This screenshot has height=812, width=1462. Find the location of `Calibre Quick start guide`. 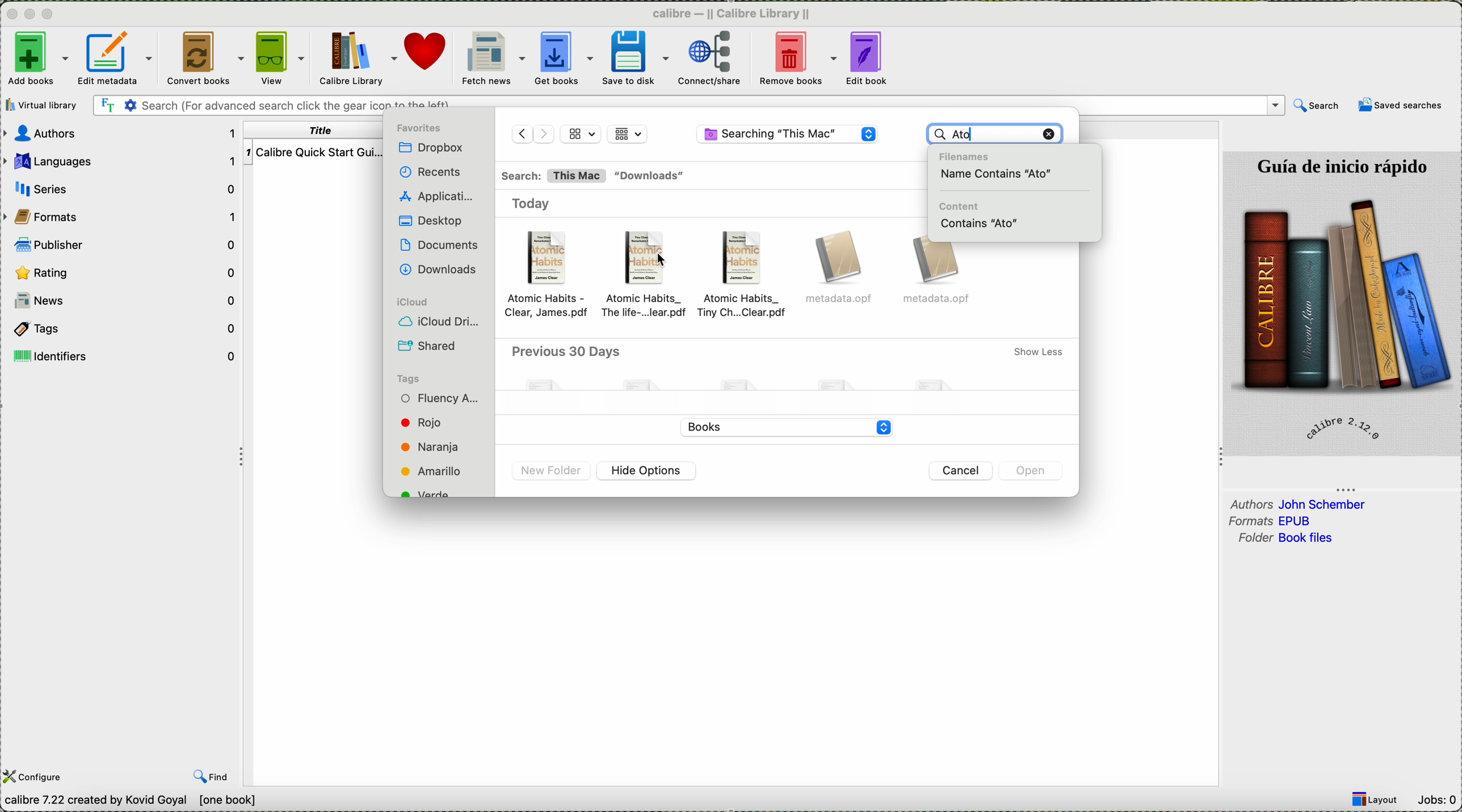

Calibre Quick start guide is located at coordinates (313, 152).